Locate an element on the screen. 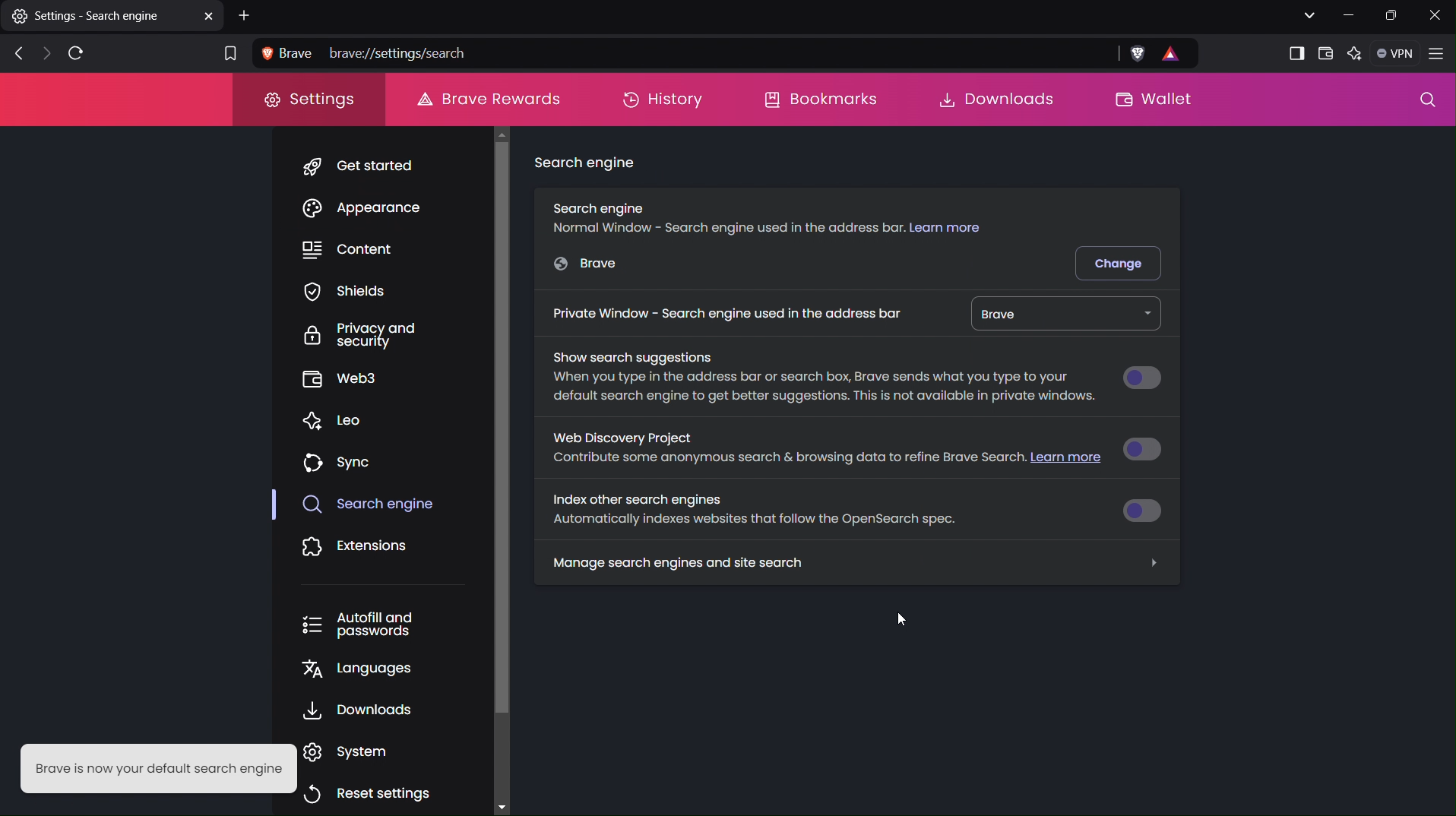 The width and height of the screenshot is (1456, 816). Bookmarks is located at coordinates (823, 99).